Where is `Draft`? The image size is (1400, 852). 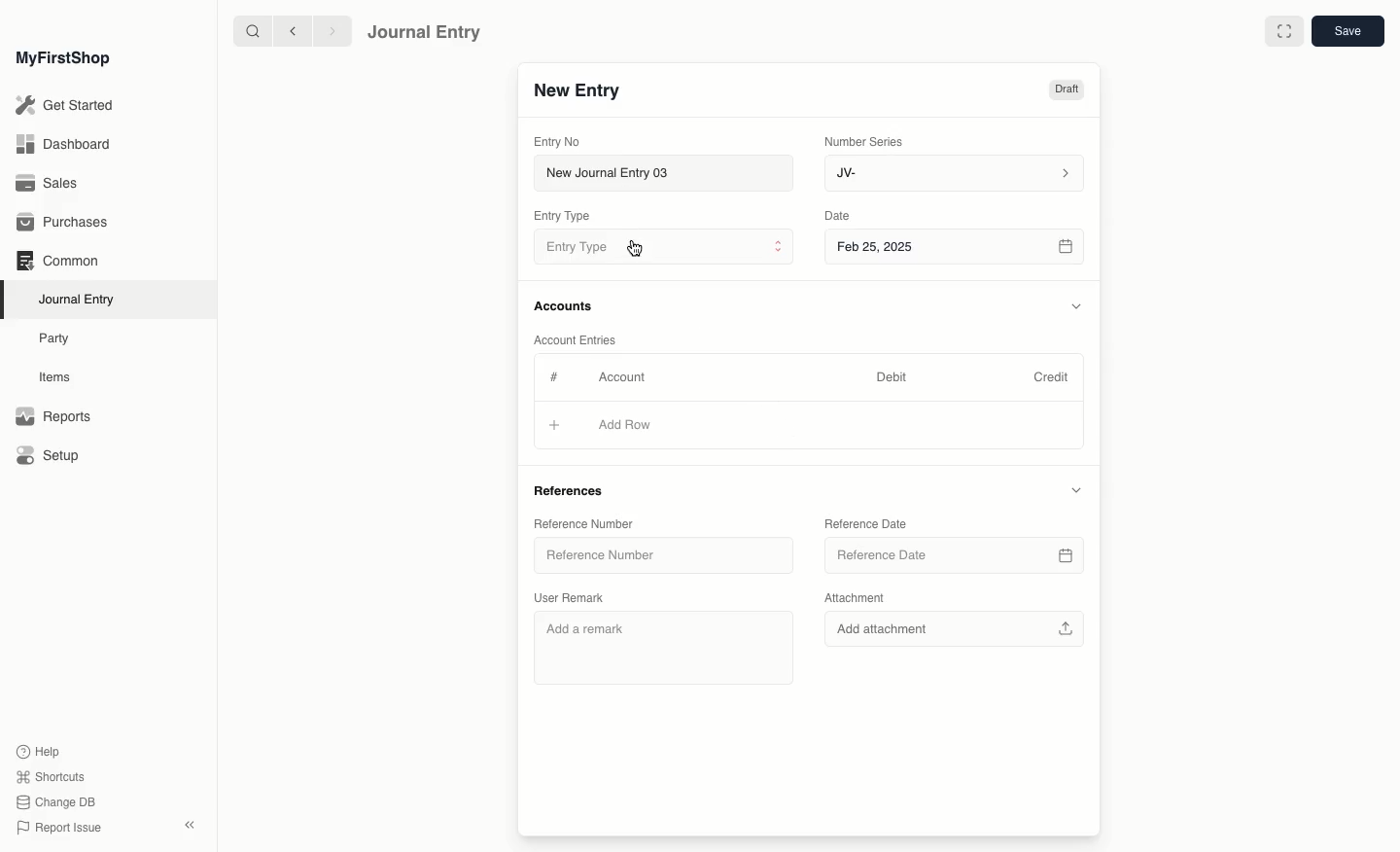
Draft is located at coordinates (1066, 91).